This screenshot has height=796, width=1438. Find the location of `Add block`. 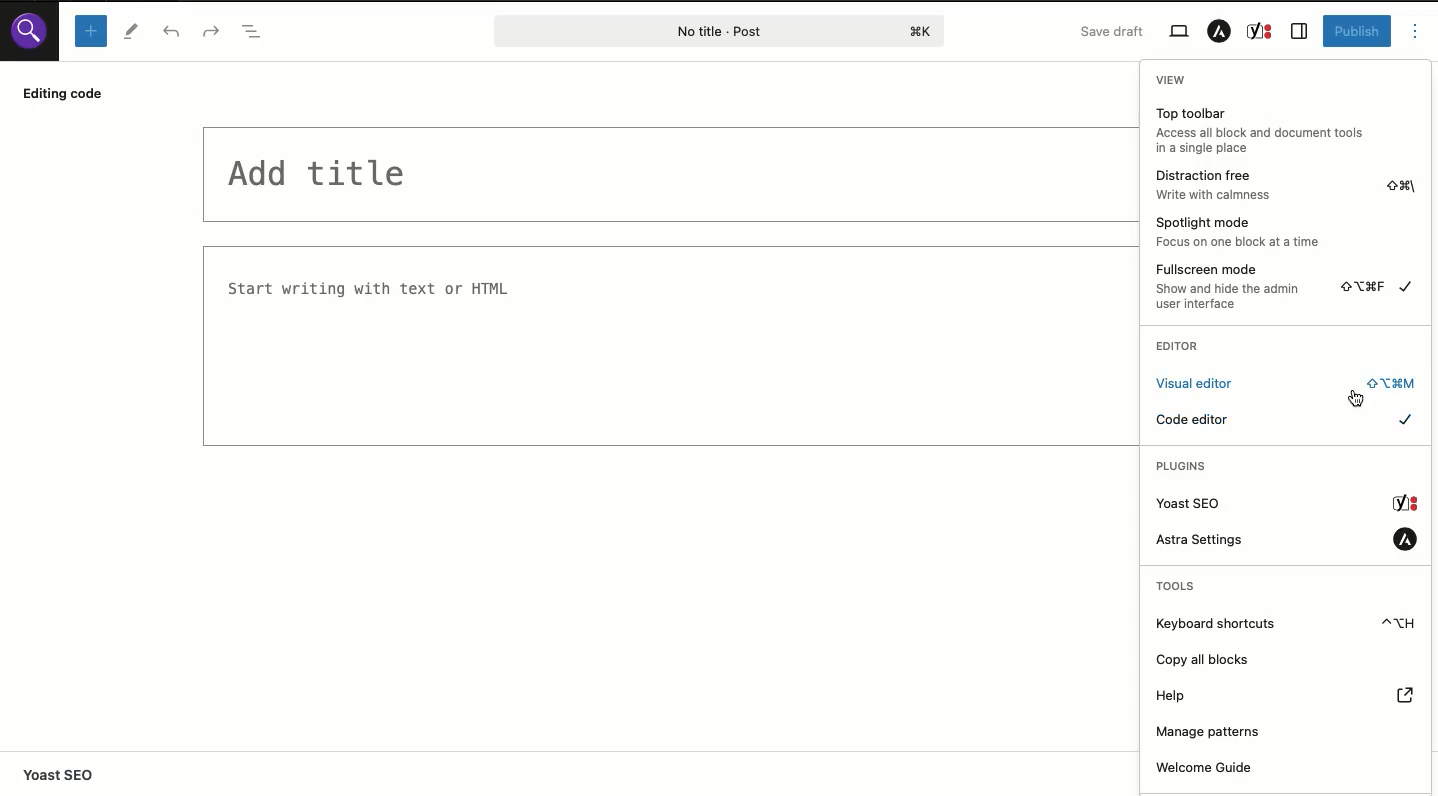

Add block is located at coordinates (93, 30).